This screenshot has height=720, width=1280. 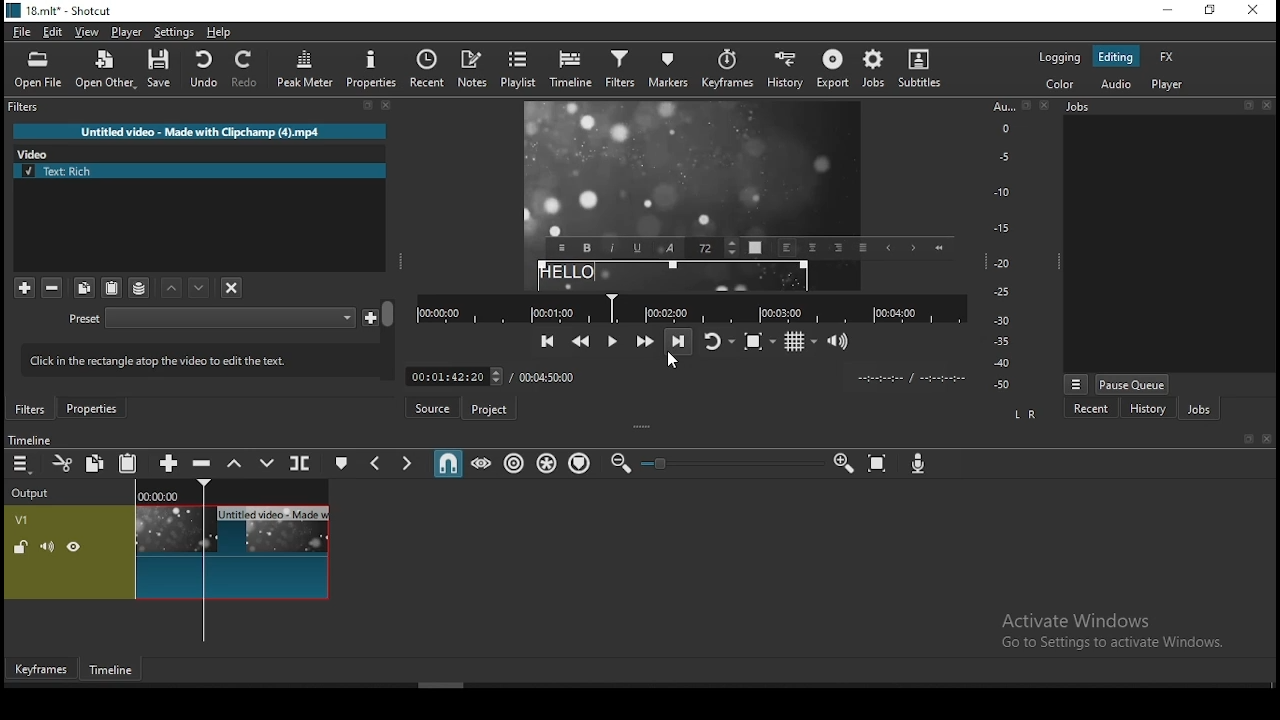 I want to click on copy, so click(x=85, y=288).